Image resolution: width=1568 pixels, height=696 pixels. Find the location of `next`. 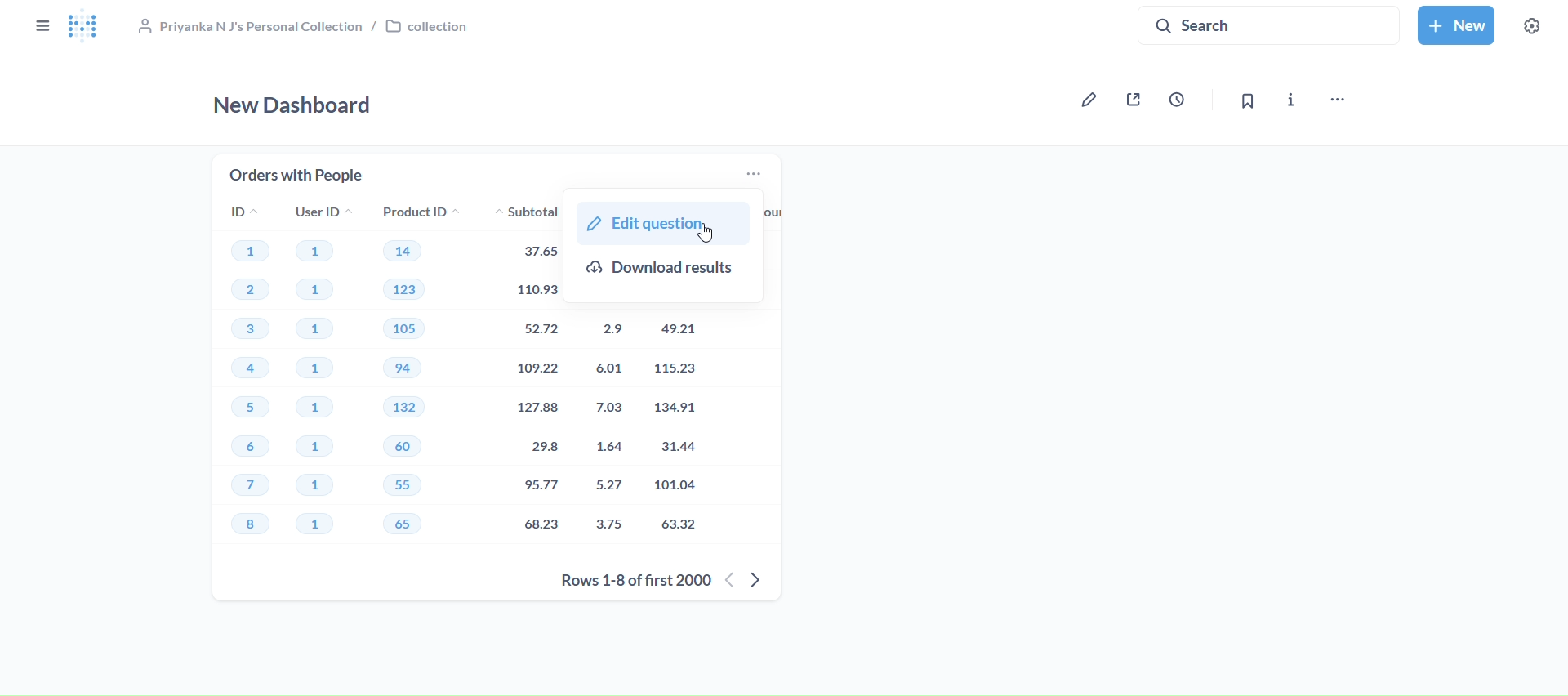

next is located at coordinates (757, 579).